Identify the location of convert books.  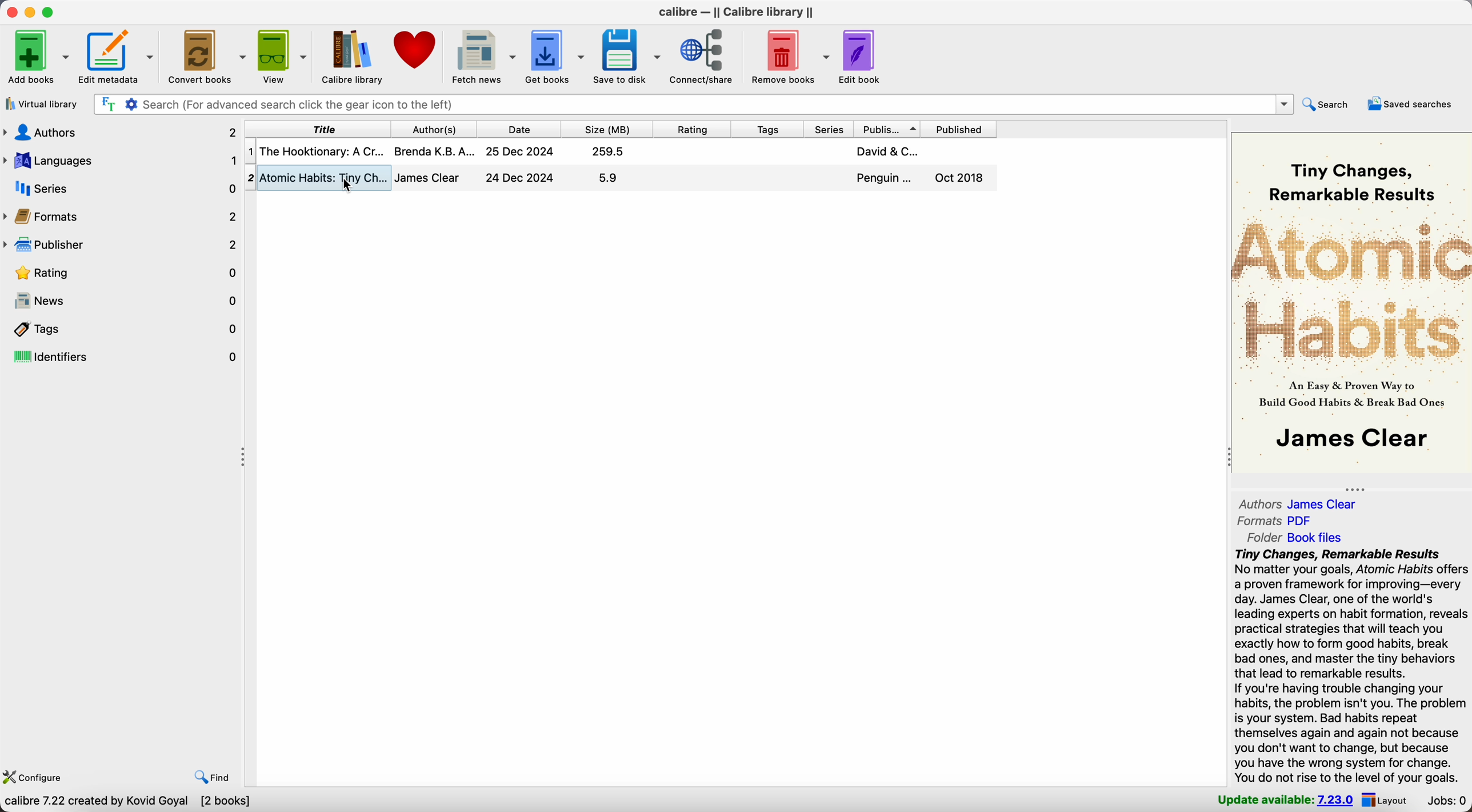
(208, 57).